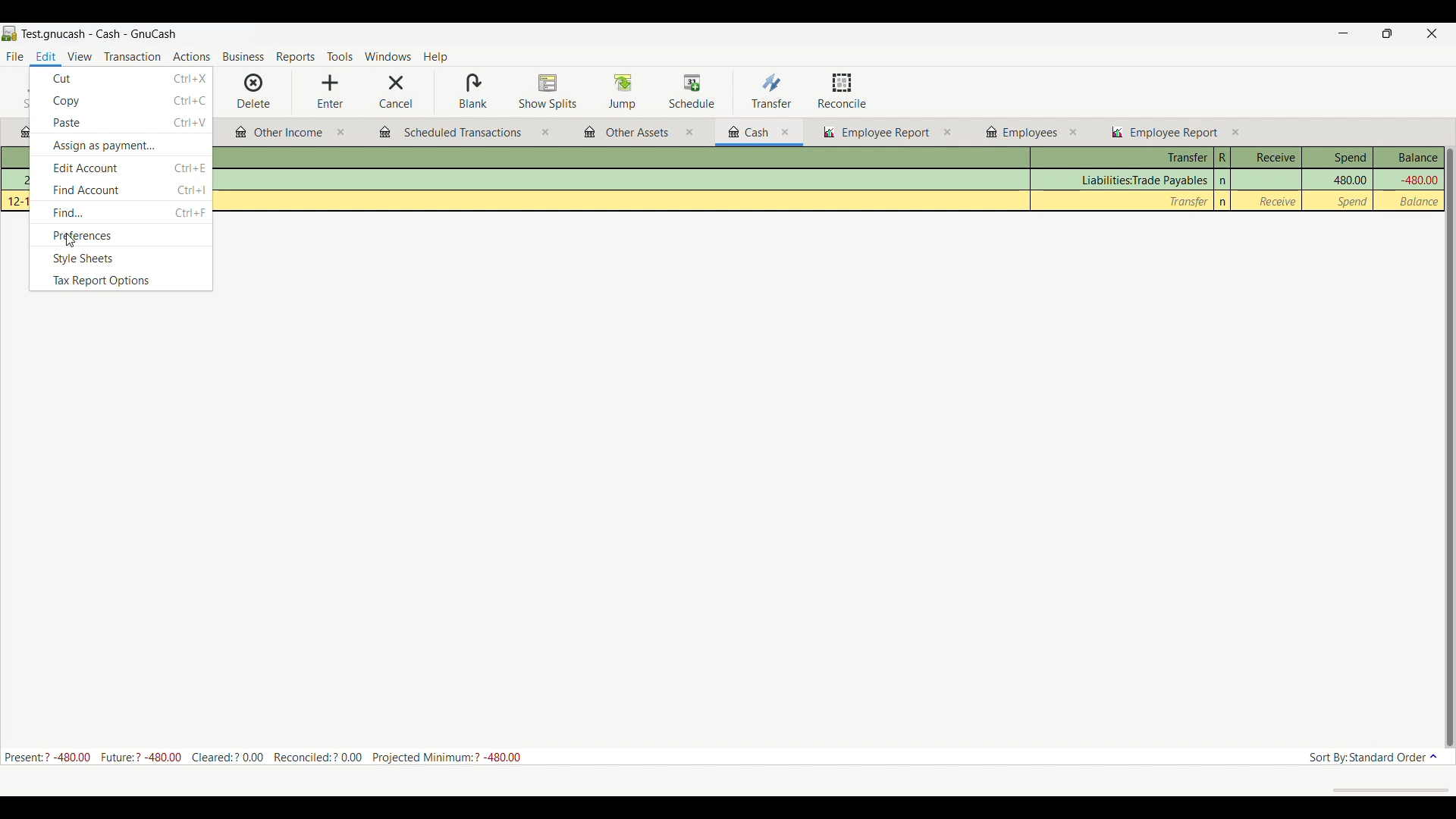  I want to click on Assign as payment, so click(121, 146).